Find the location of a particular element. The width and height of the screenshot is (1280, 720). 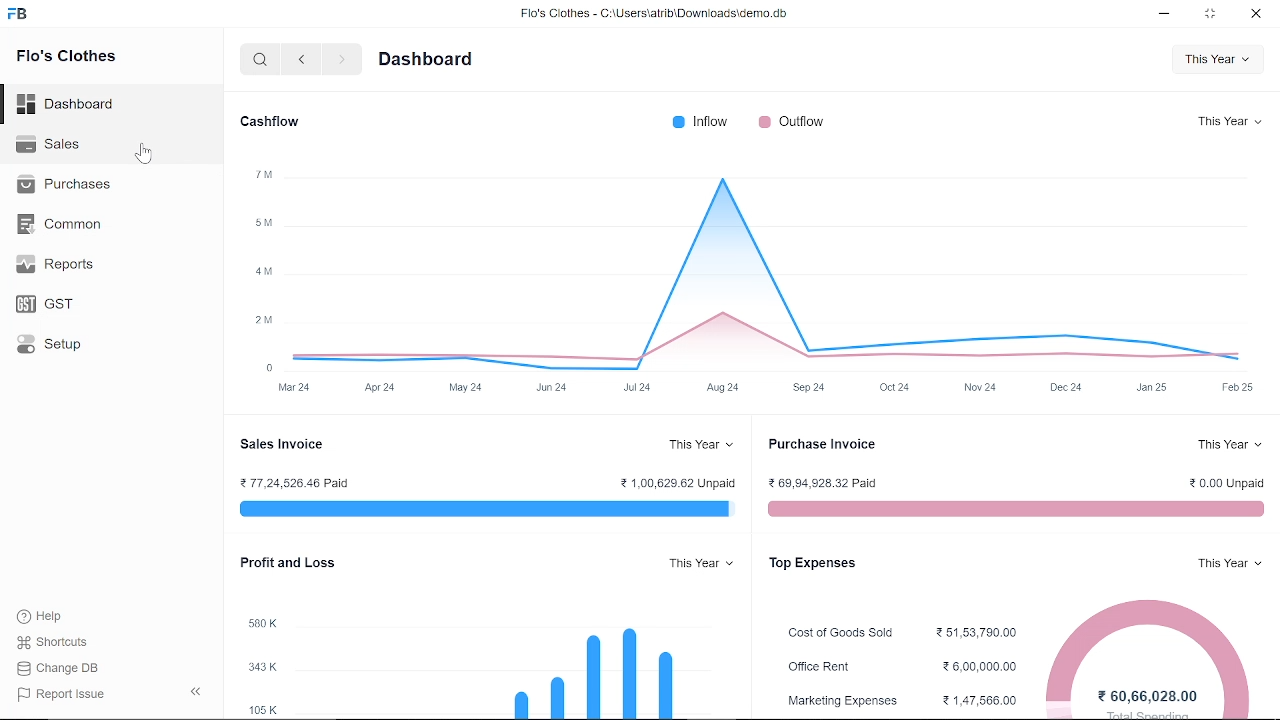

Graph is located at coordinates (550, 654).